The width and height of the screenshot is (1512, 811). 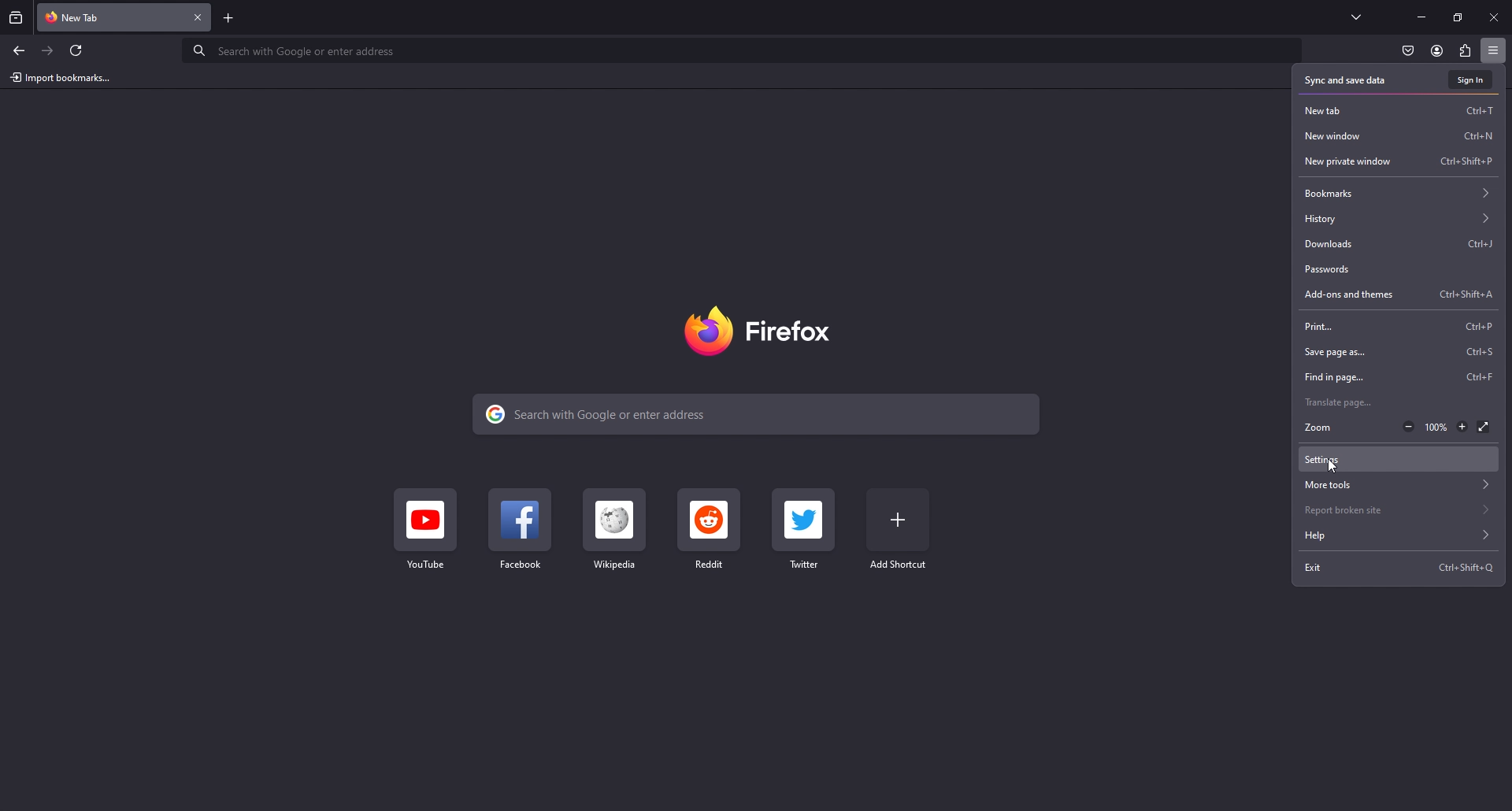 What do you see at coordinates (17, 17) in the screenshot?
I see `recent browsing` at bounding box center [17, 17].